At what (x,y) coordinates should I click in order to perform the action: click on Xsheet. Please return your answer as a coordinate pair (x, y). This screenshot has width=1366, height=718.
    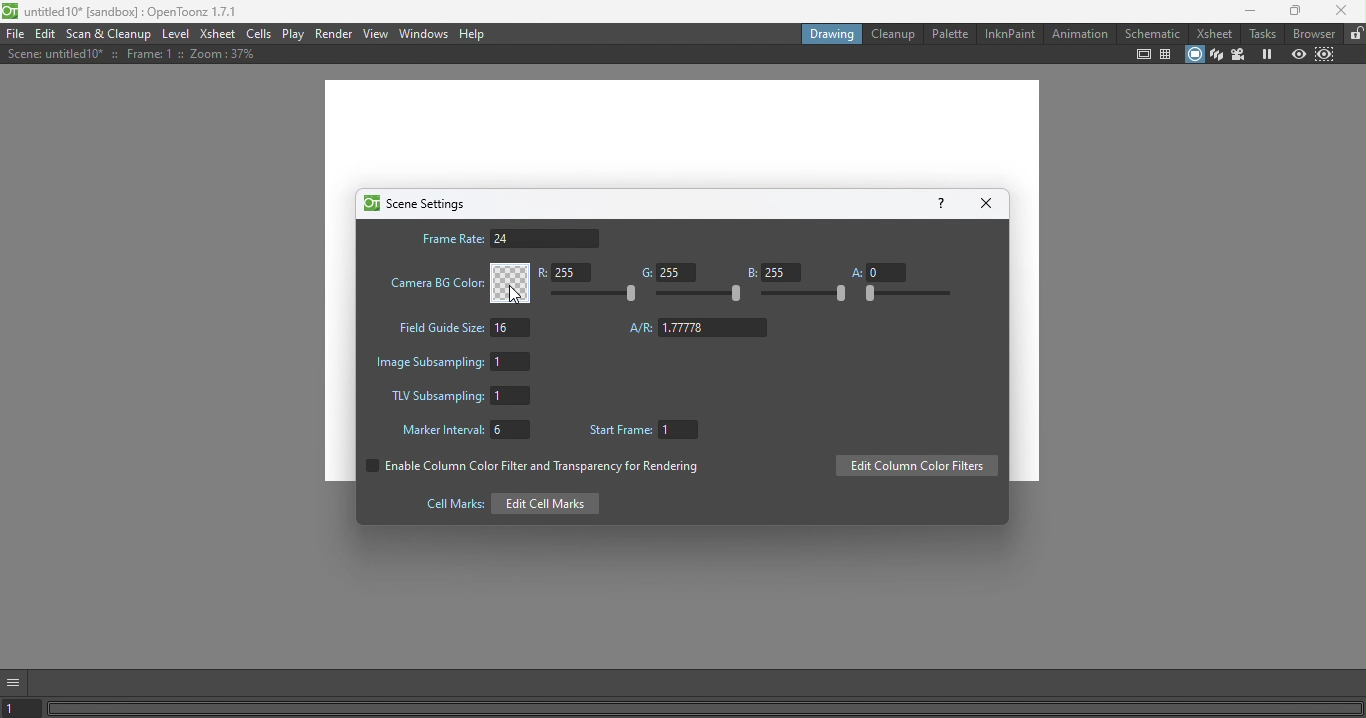
    Looking at the image, I should click on (1212, 34).